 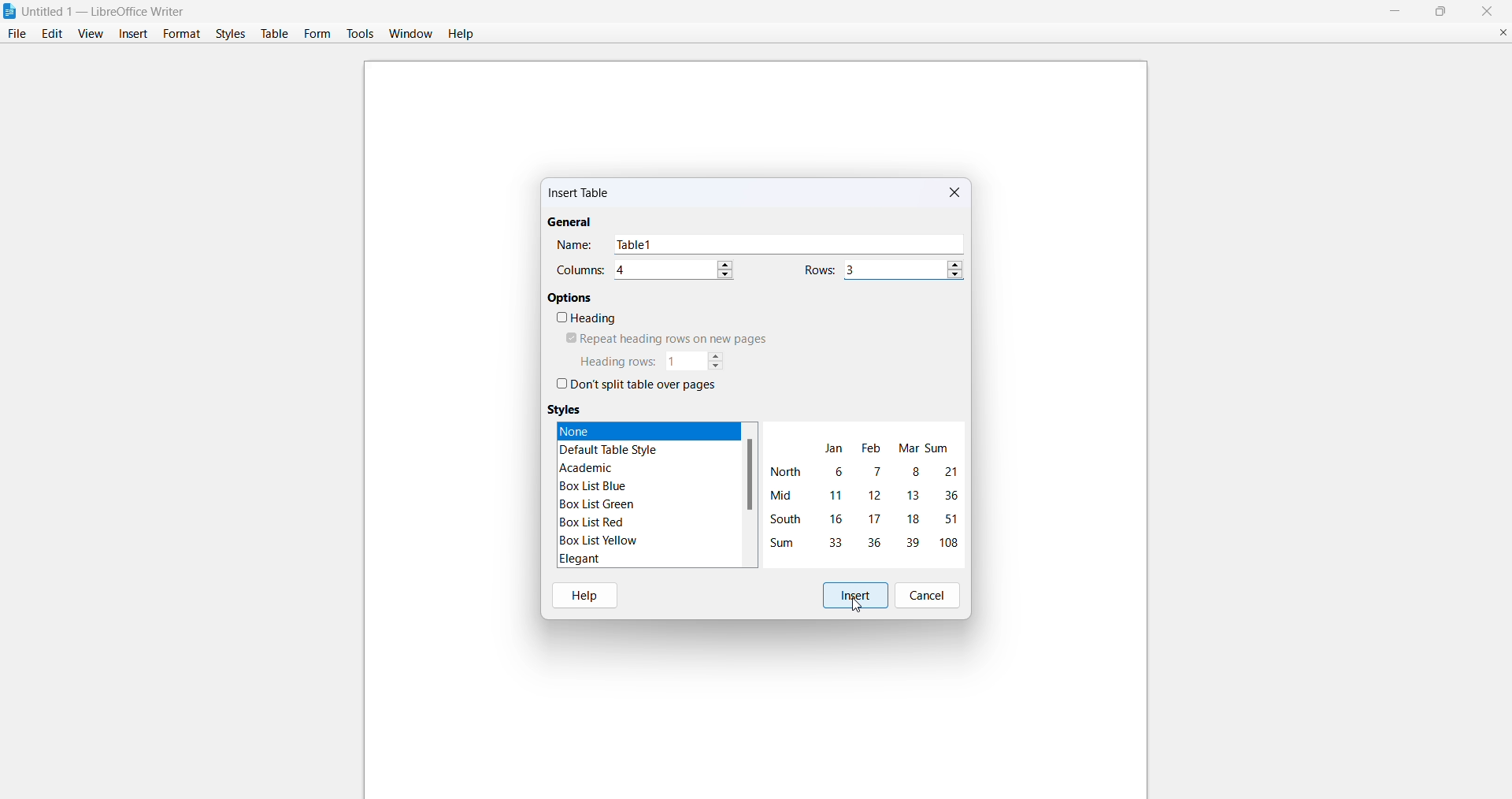 I want to click on increase heading rows, so click(x=717, y=355).